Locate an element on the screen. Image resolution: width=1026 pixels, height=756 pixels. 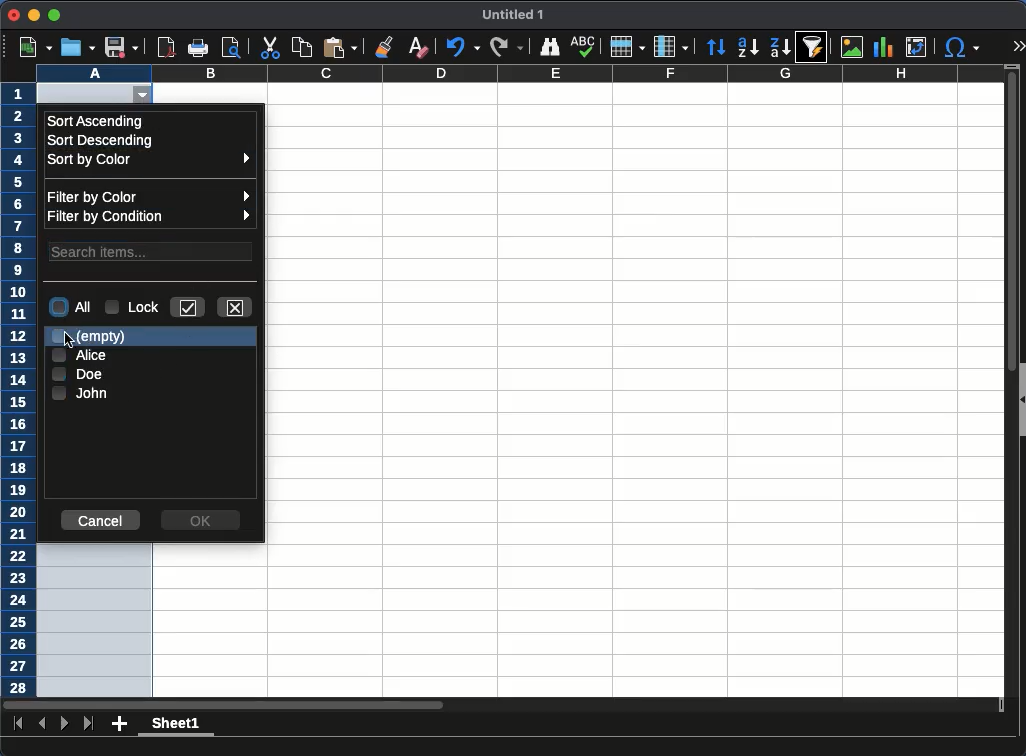
first sheet is located at coordinates (17, 722).